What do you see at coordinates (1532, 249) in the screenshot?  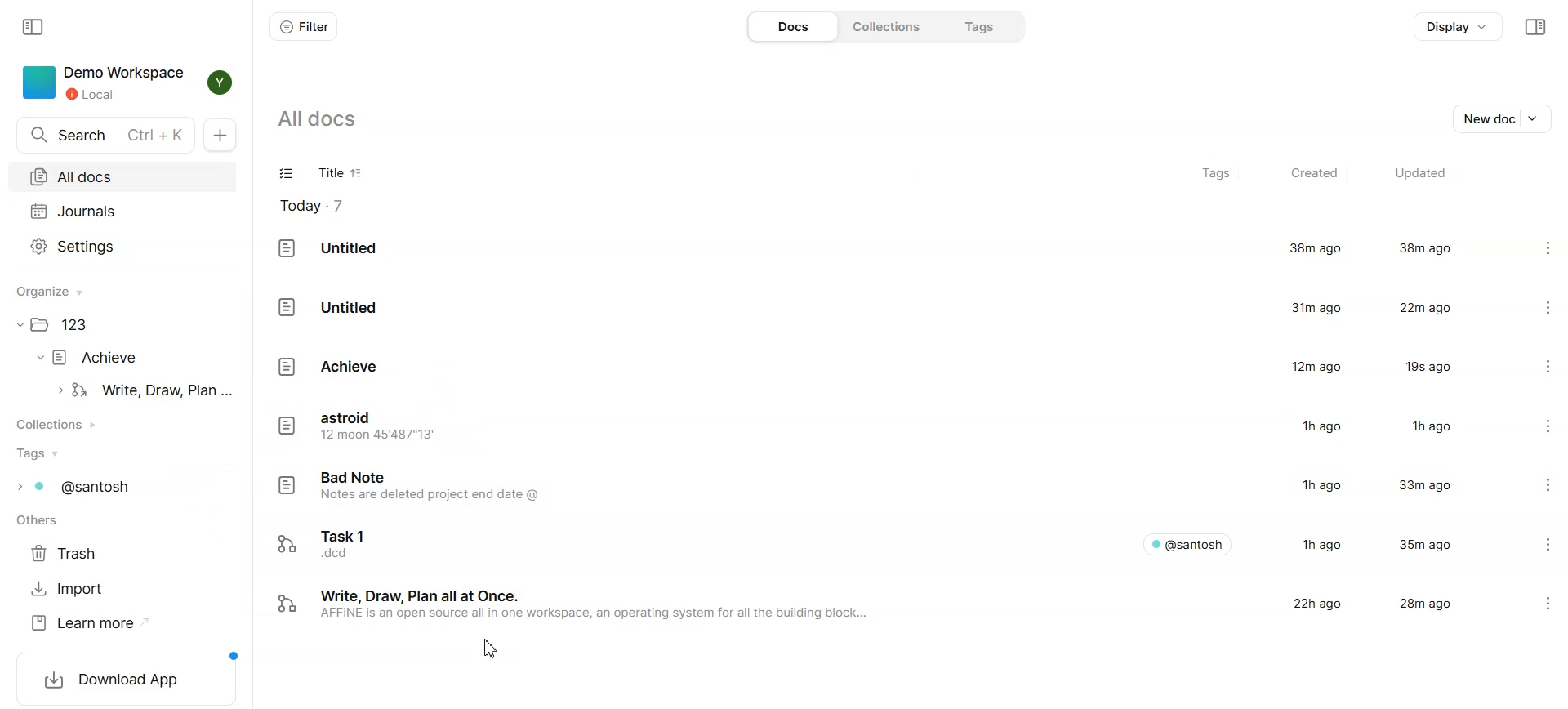 I see `Settings` at bounding box center [1532, 249].